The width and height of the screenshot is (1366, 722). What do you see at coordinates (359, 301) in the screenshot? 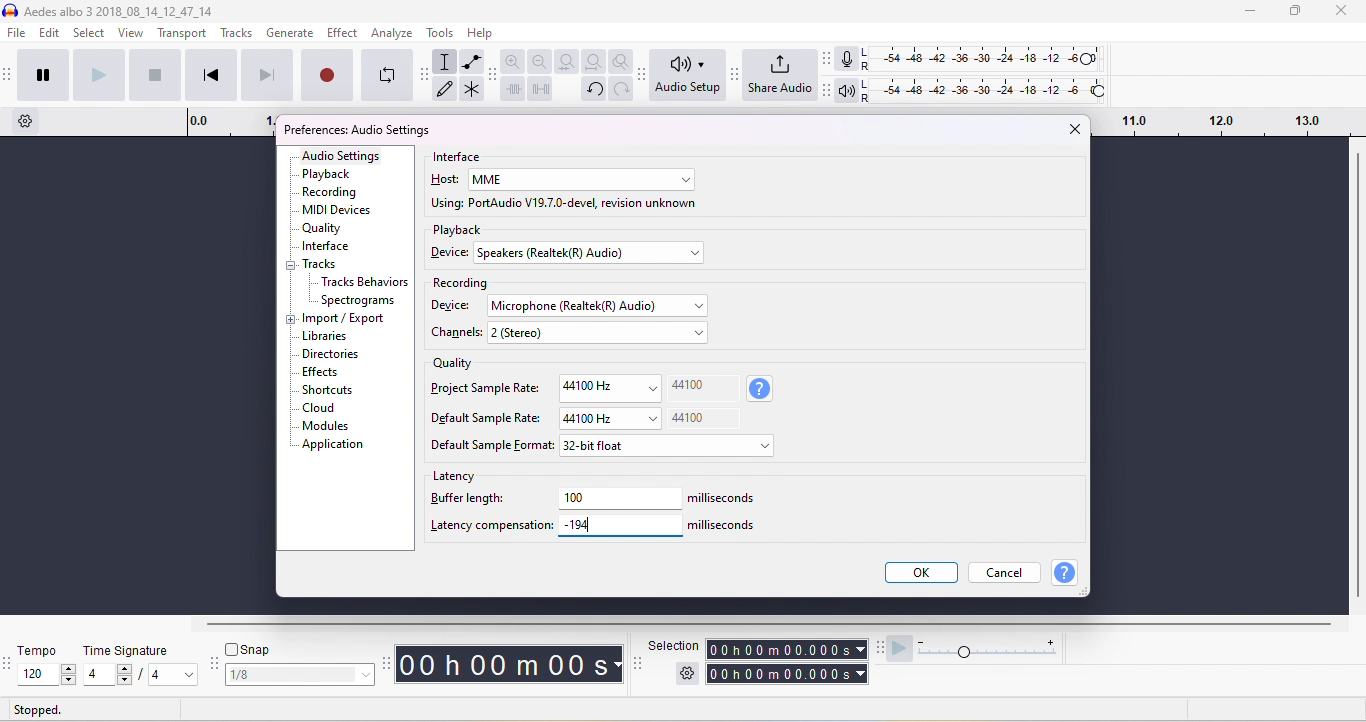
I see `spectrograms` at bounding box center [359, 301].